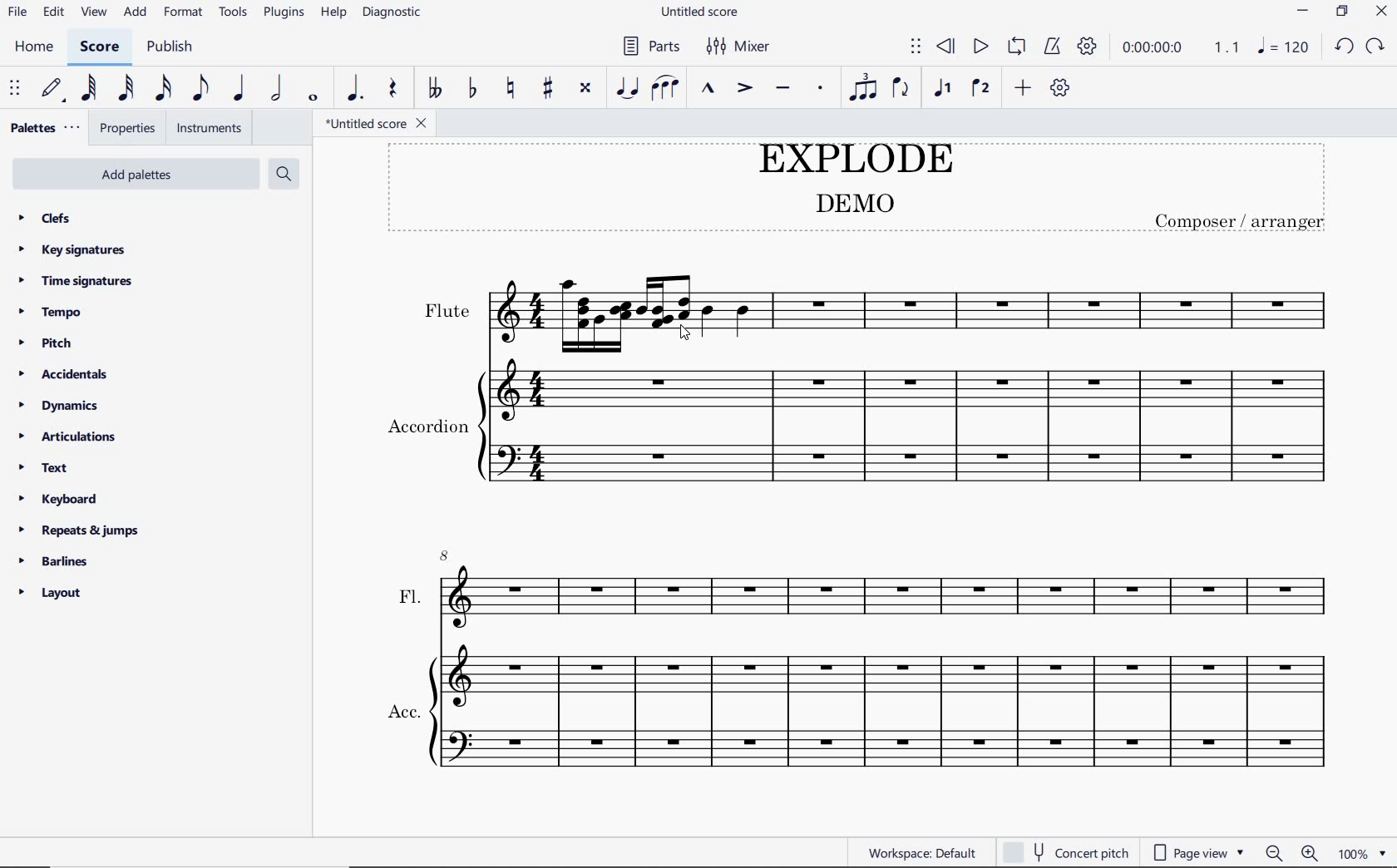  I want to click on customize toolbar, so click(1063, 87).